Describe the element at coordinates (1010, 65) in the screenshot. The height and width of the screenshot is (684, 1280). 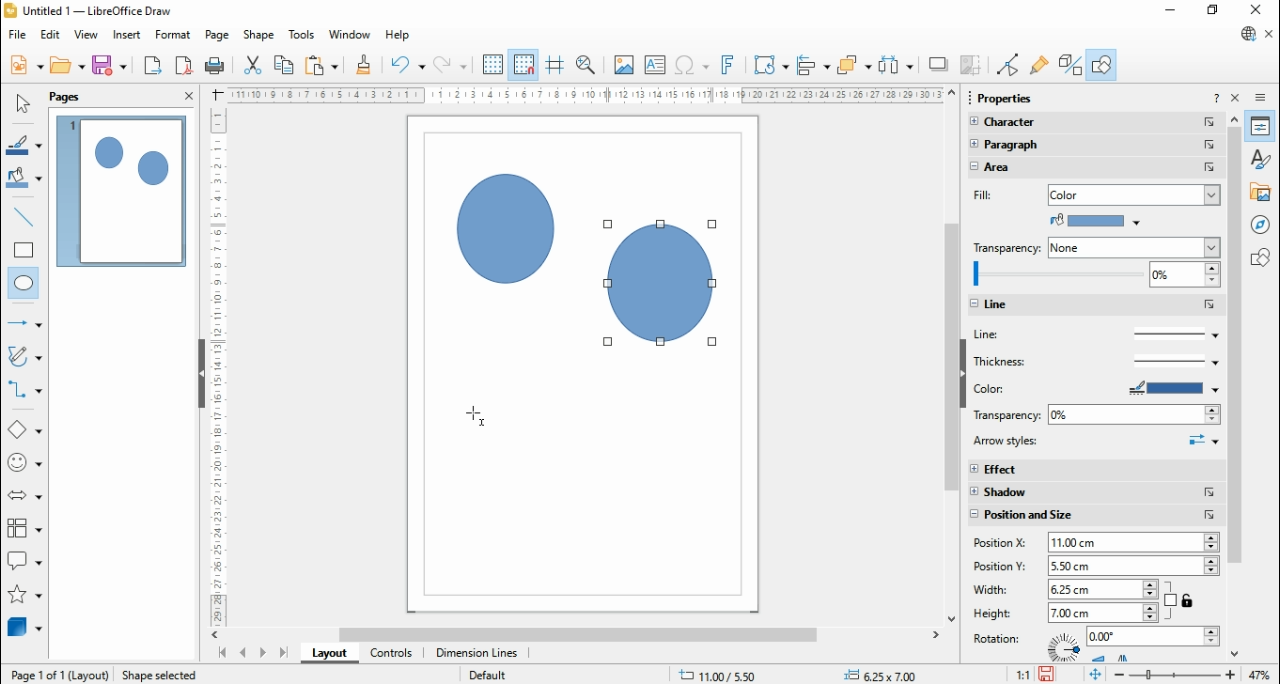
I see `toggle point edit mode` at that location.